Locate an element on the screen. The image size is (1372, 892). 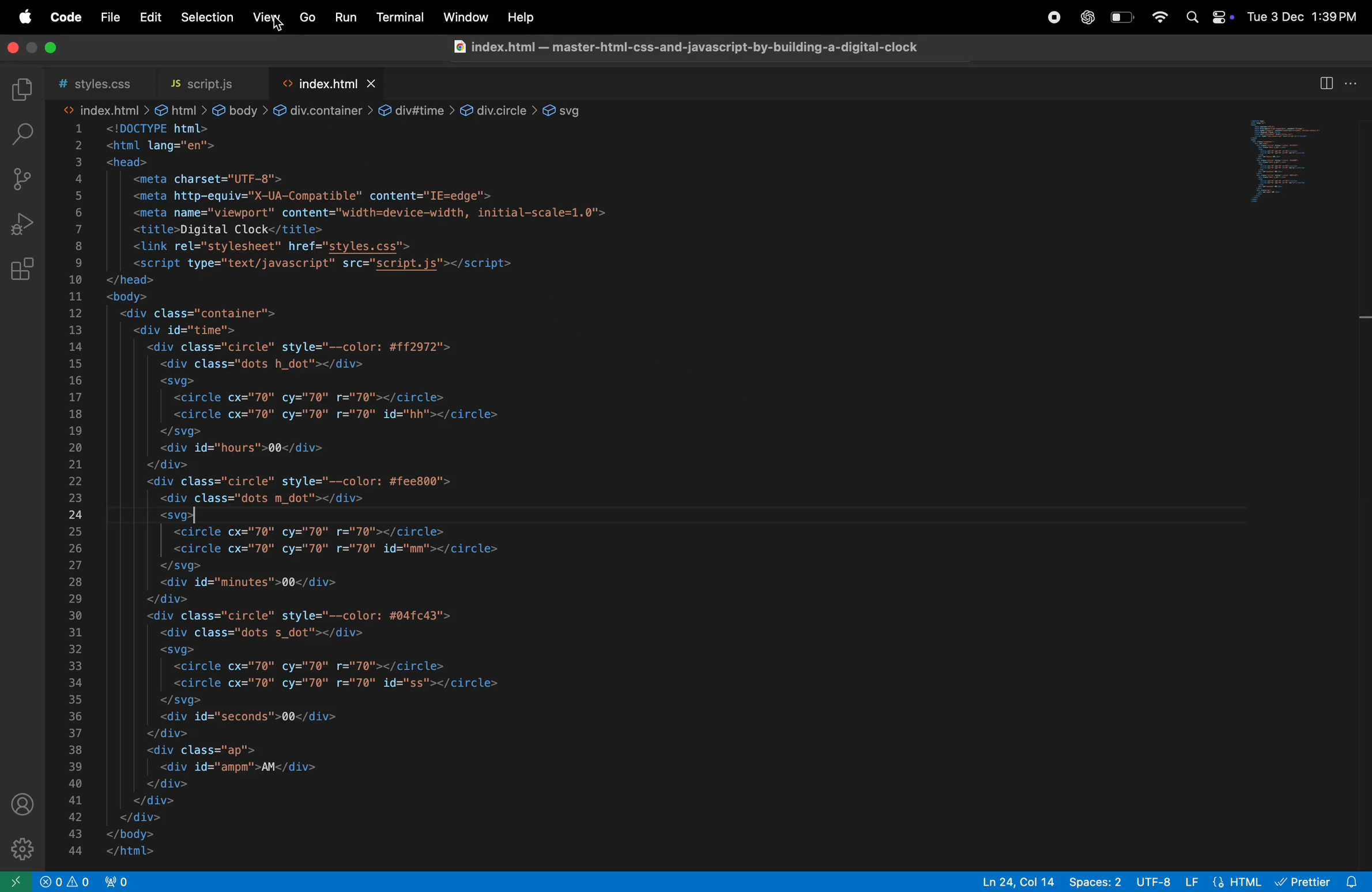
div#time is located at coordinates (417, 109).